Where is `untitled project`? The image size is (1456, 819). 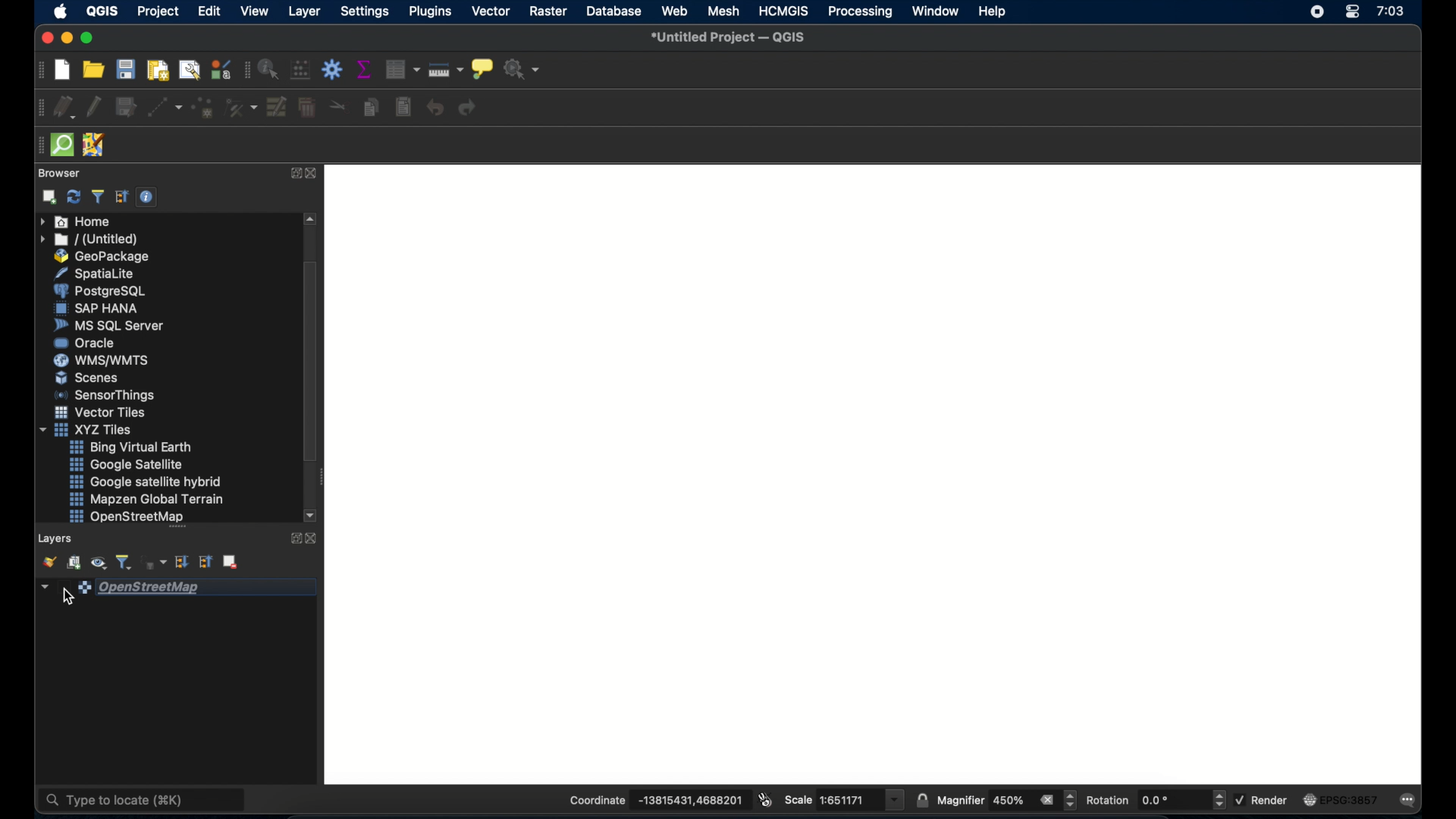
untitled project is located at coordinates (725, 34).